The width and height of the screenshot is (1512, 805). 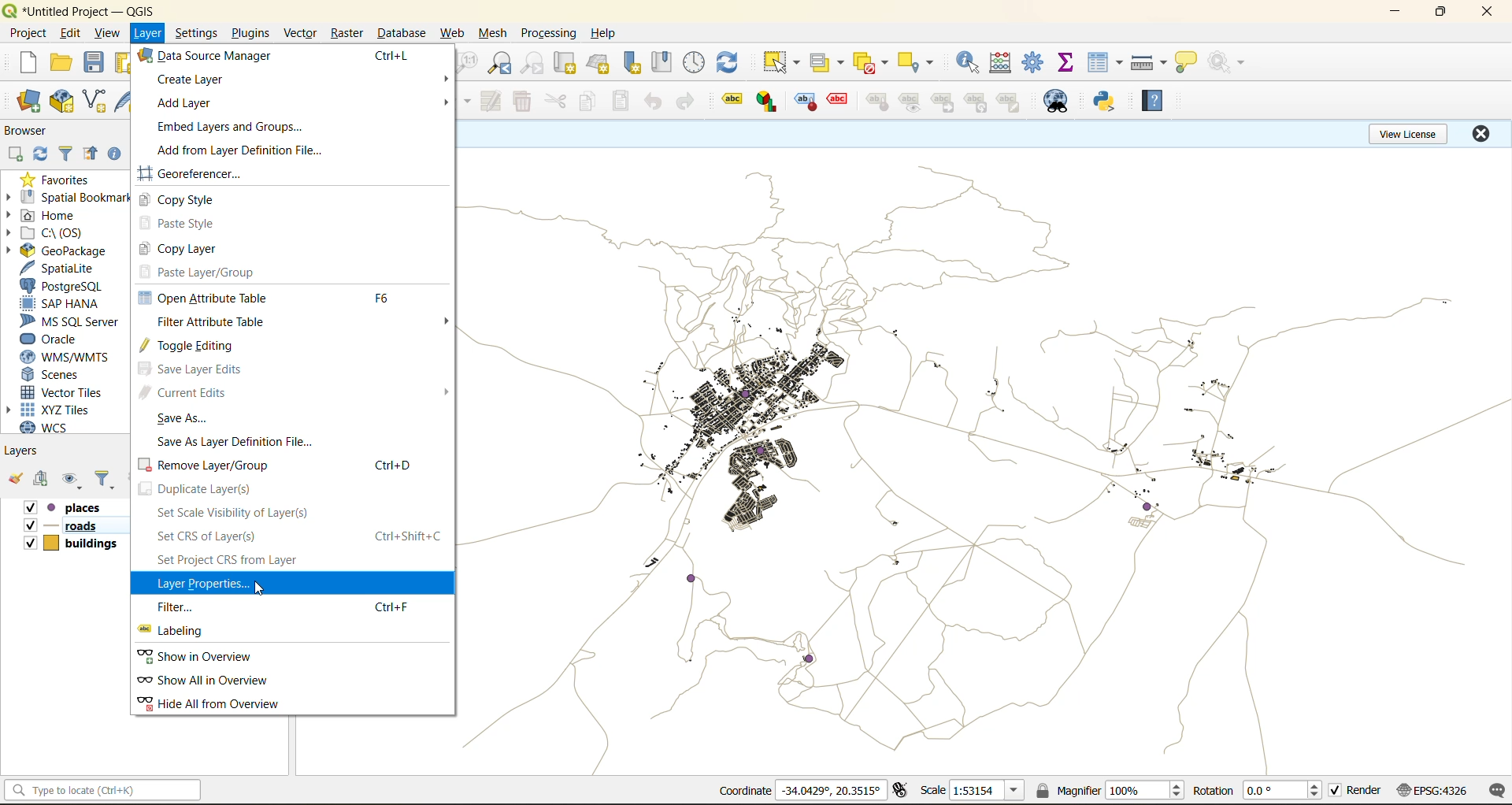 What do you see at coordinates (104, 789) in the screenshot?
I see `status bar` at bounding box center [104, 789].